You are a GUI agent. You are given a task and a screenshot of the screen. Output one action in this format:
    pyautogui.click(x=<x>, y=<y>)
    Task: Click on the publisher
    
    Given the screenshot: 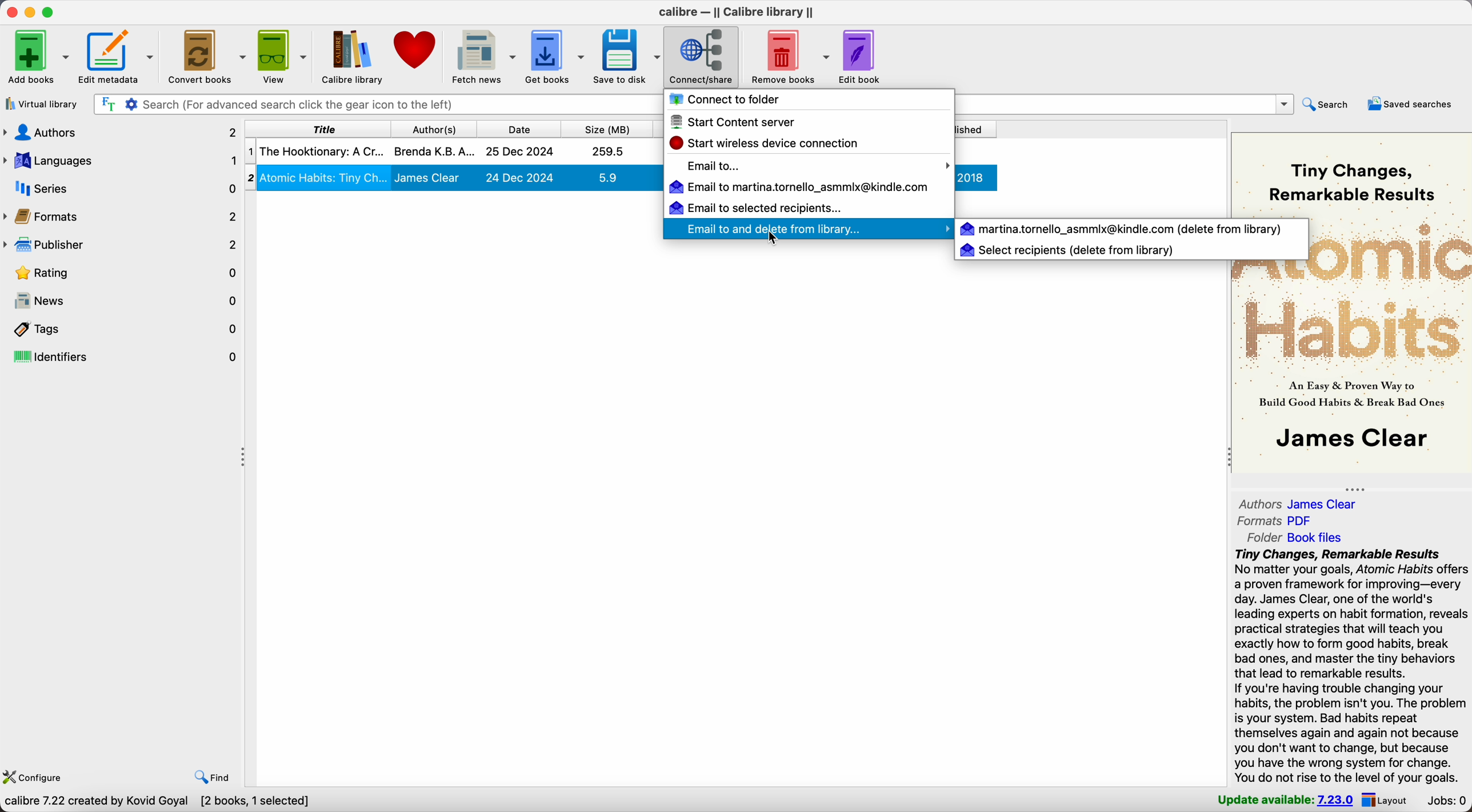 What is the action you would take?
    pyautogui.click(x=121, y=245)
    